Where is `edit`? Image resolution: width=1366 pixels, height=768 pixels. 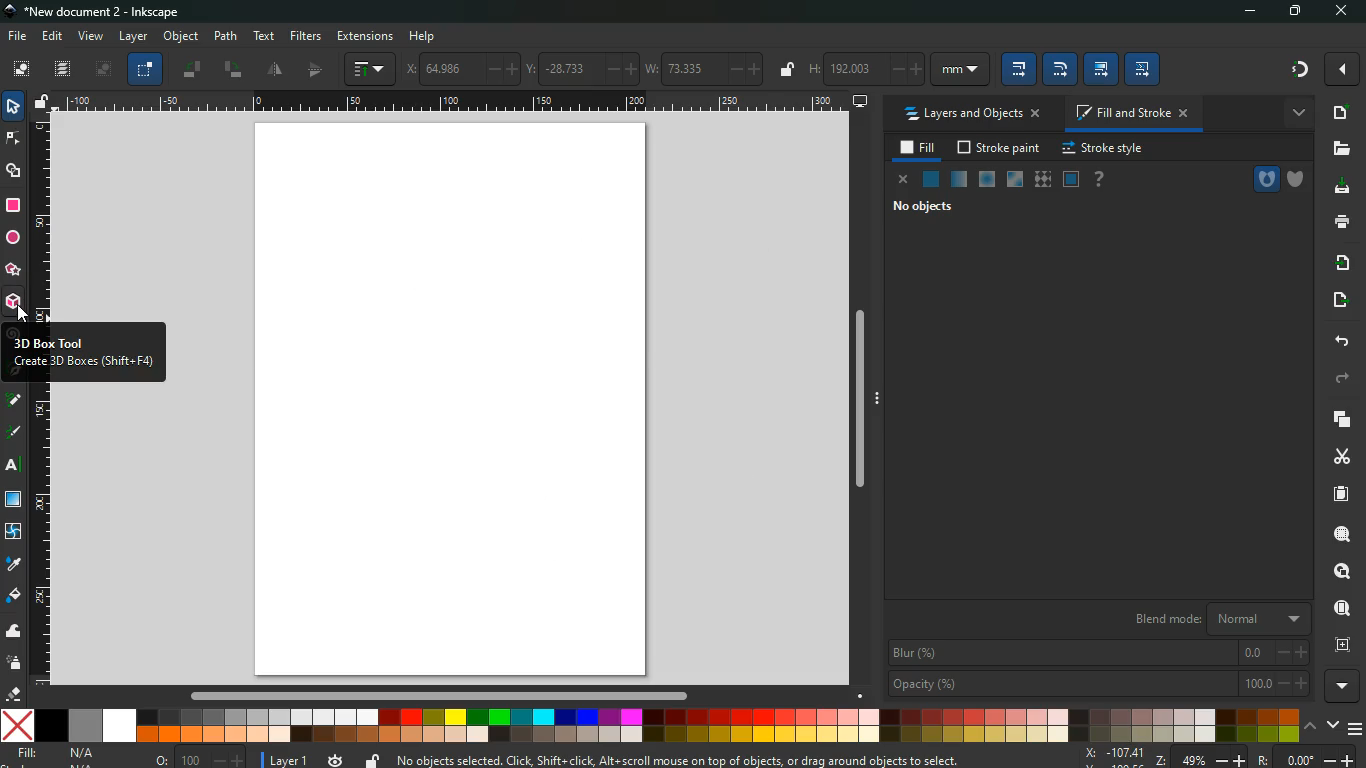 edit is located at coordinates (1141, 69).